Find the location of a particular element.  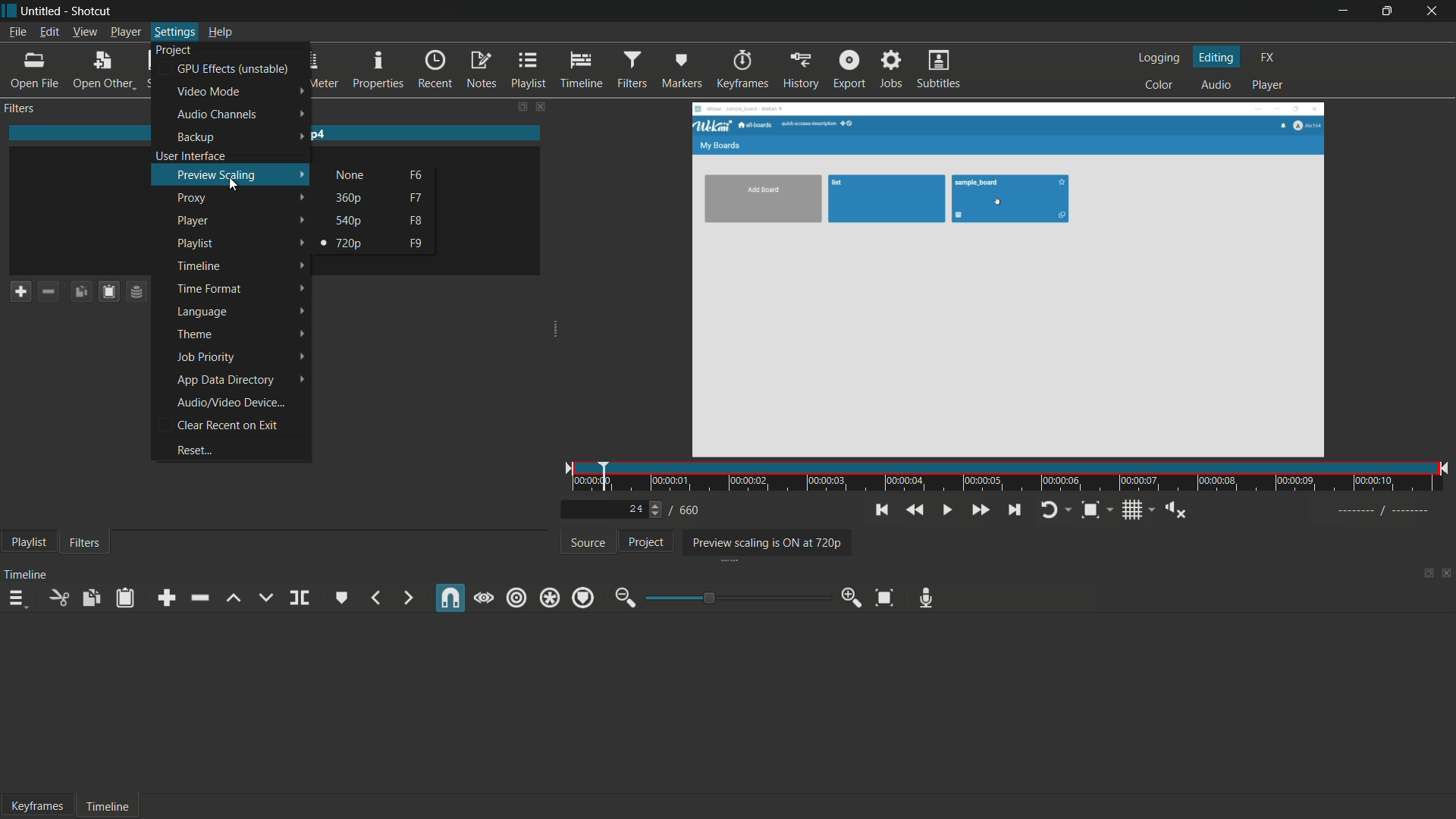

ripple delete is located at coordinates (202, 598).